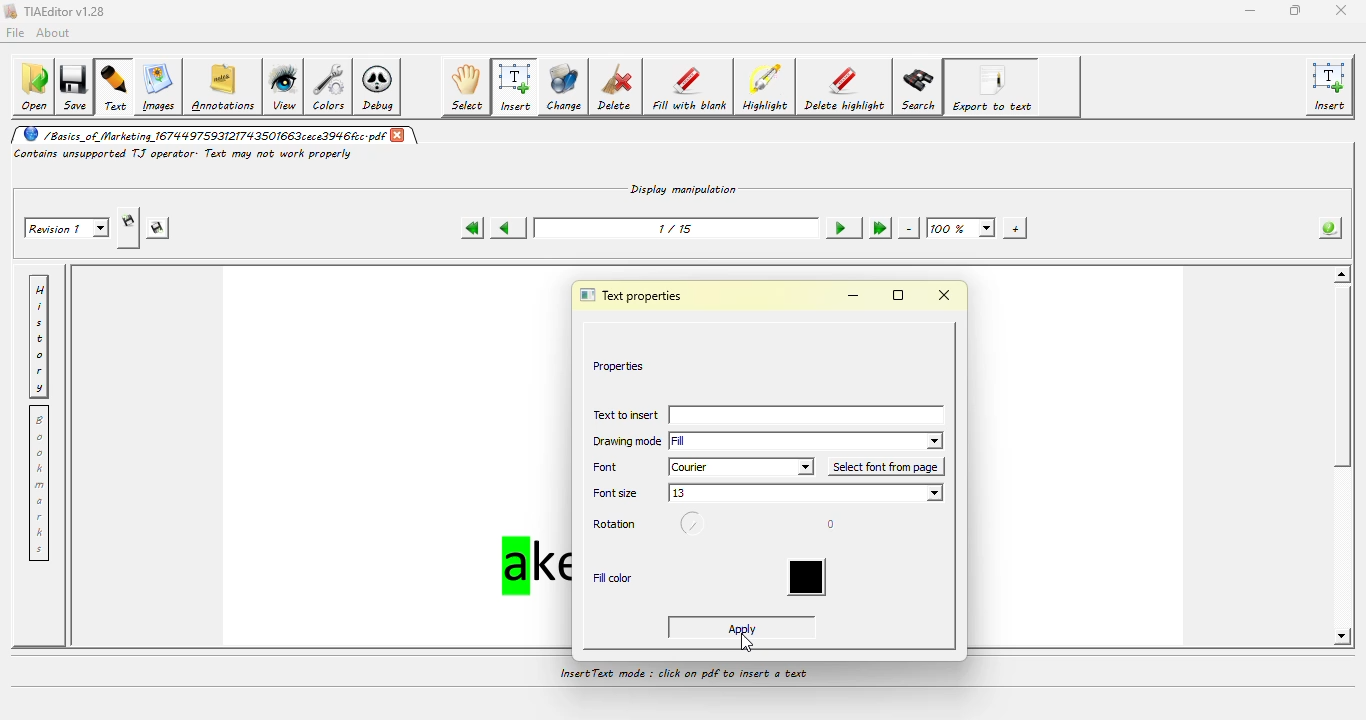 The image size is (1366, 720). Describe the element at coordinates (116, 88) in the screenshot. I see `text` at that location.